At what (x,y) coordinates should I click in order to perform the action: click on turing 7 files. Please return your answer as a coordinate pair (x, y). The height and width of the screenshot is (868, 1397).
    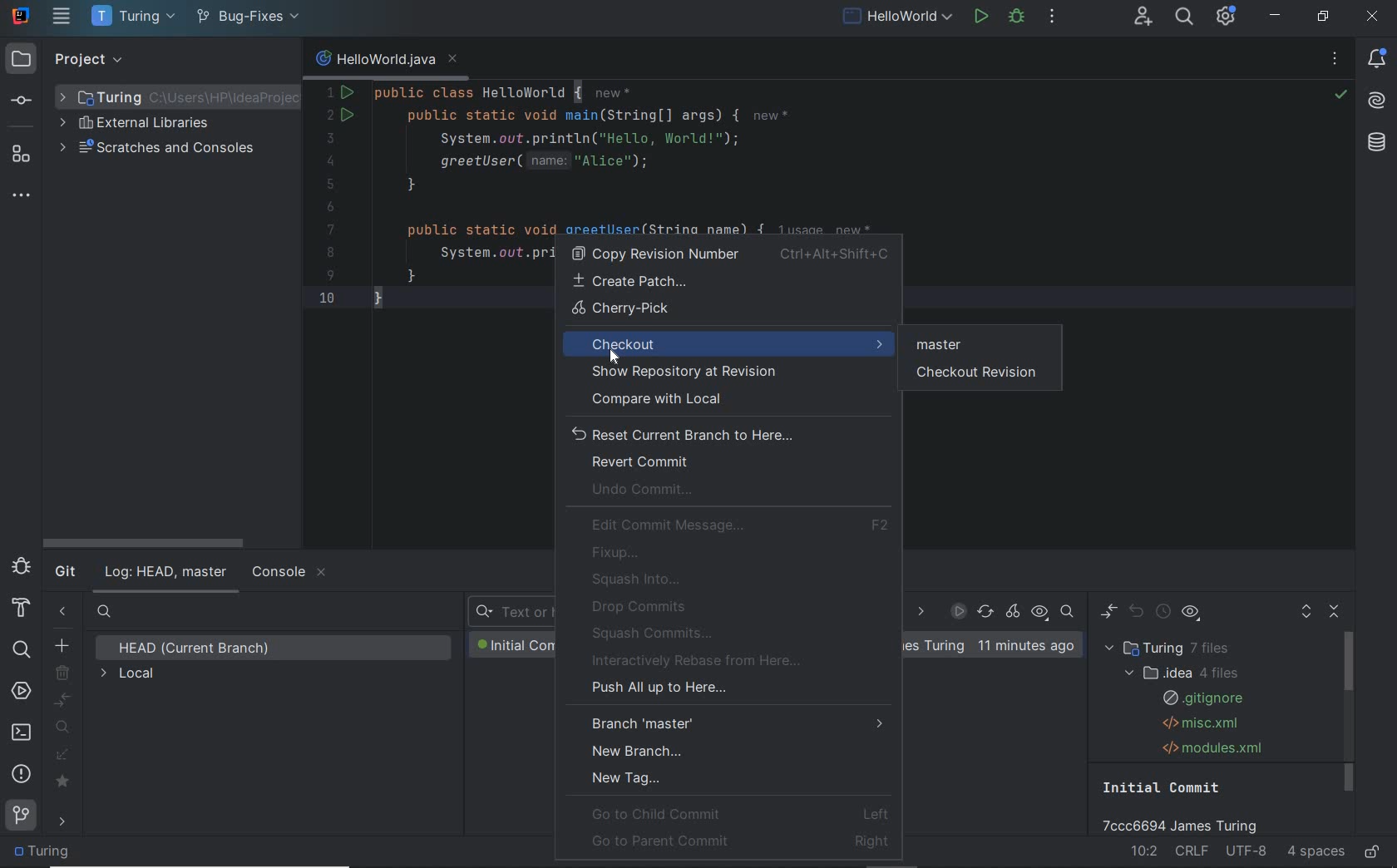
    Looking at the image, I should click on (1172, 649).